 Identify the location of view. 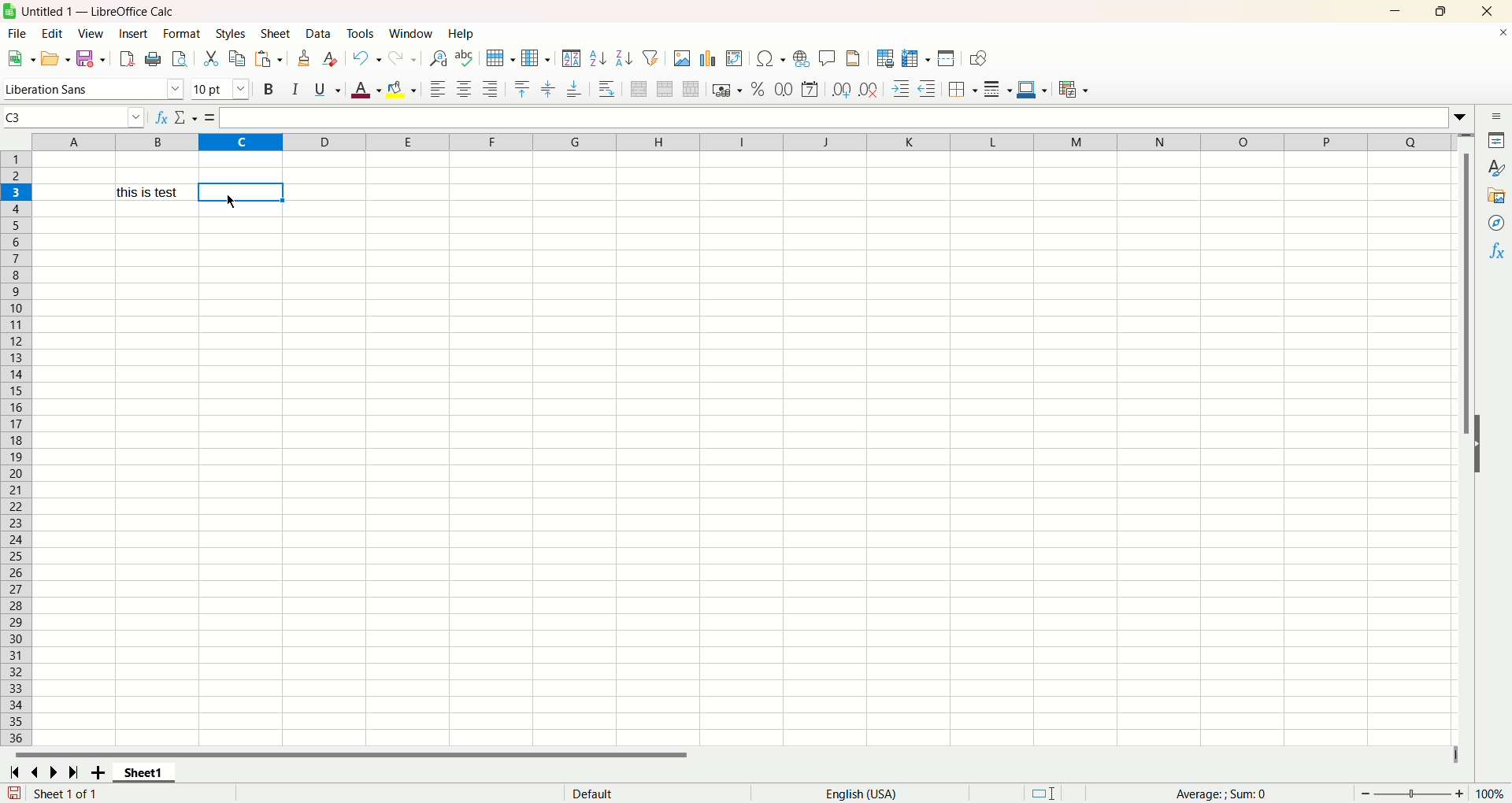
(93, 34).